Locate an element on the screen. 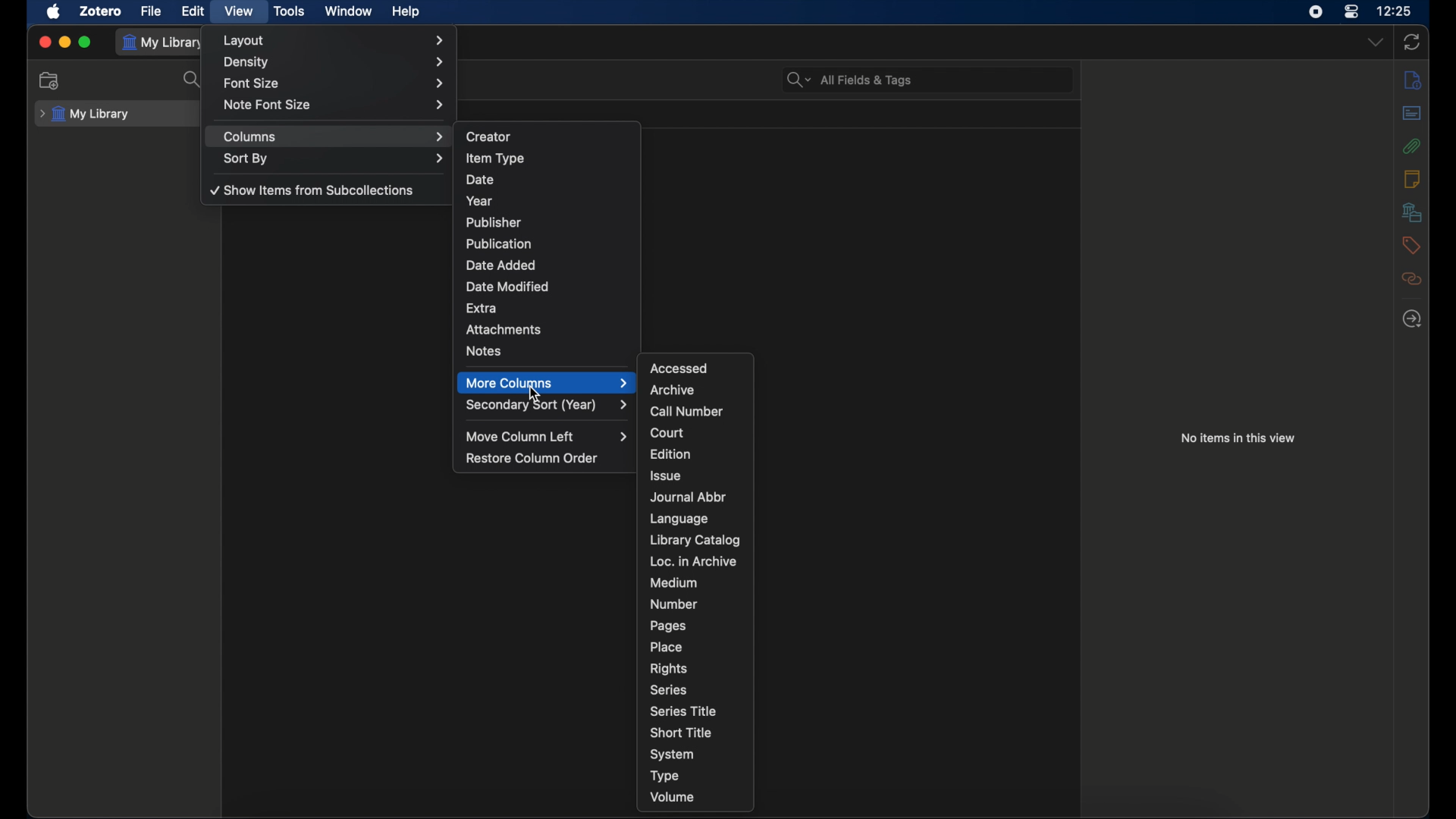  search is located at coordinates (192, 80).